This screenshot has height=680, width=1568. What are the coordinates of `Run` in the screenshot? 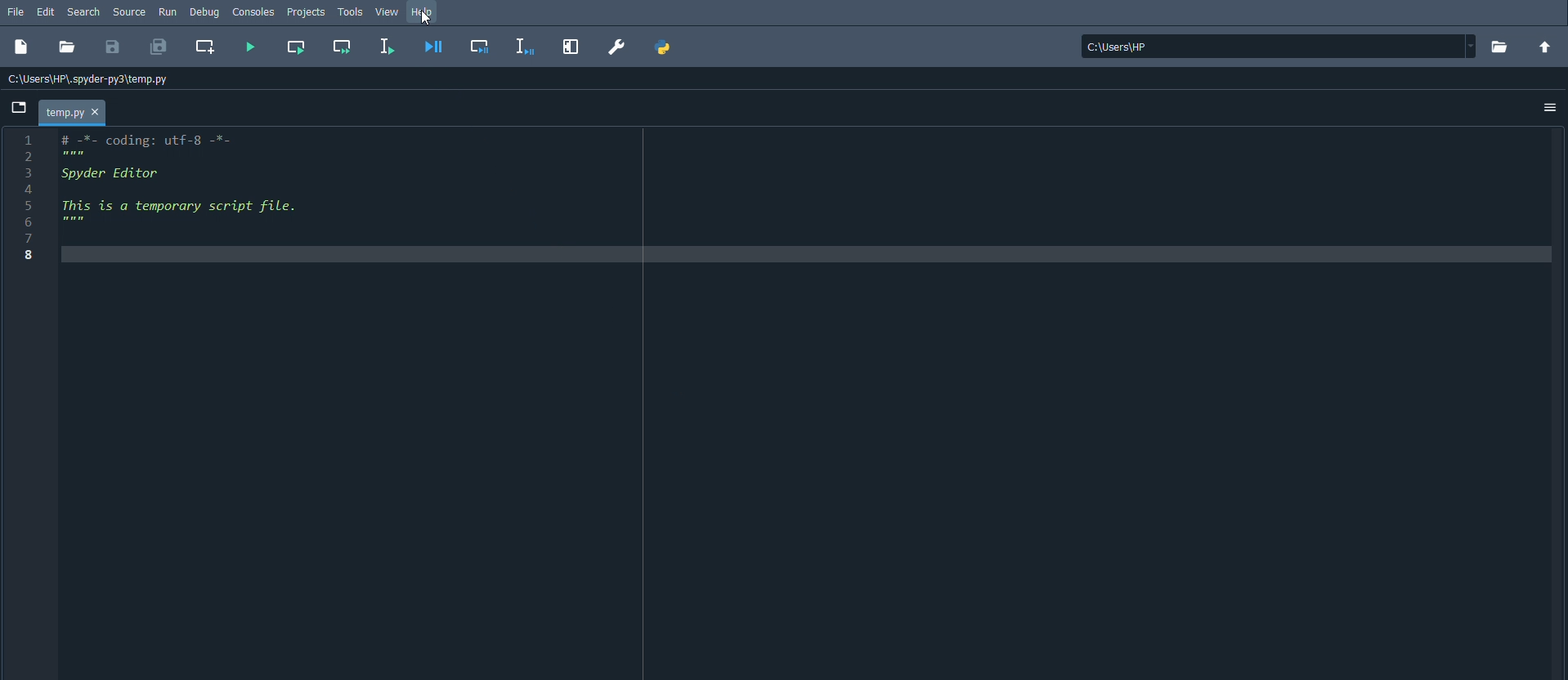 It's located at (167, 12).